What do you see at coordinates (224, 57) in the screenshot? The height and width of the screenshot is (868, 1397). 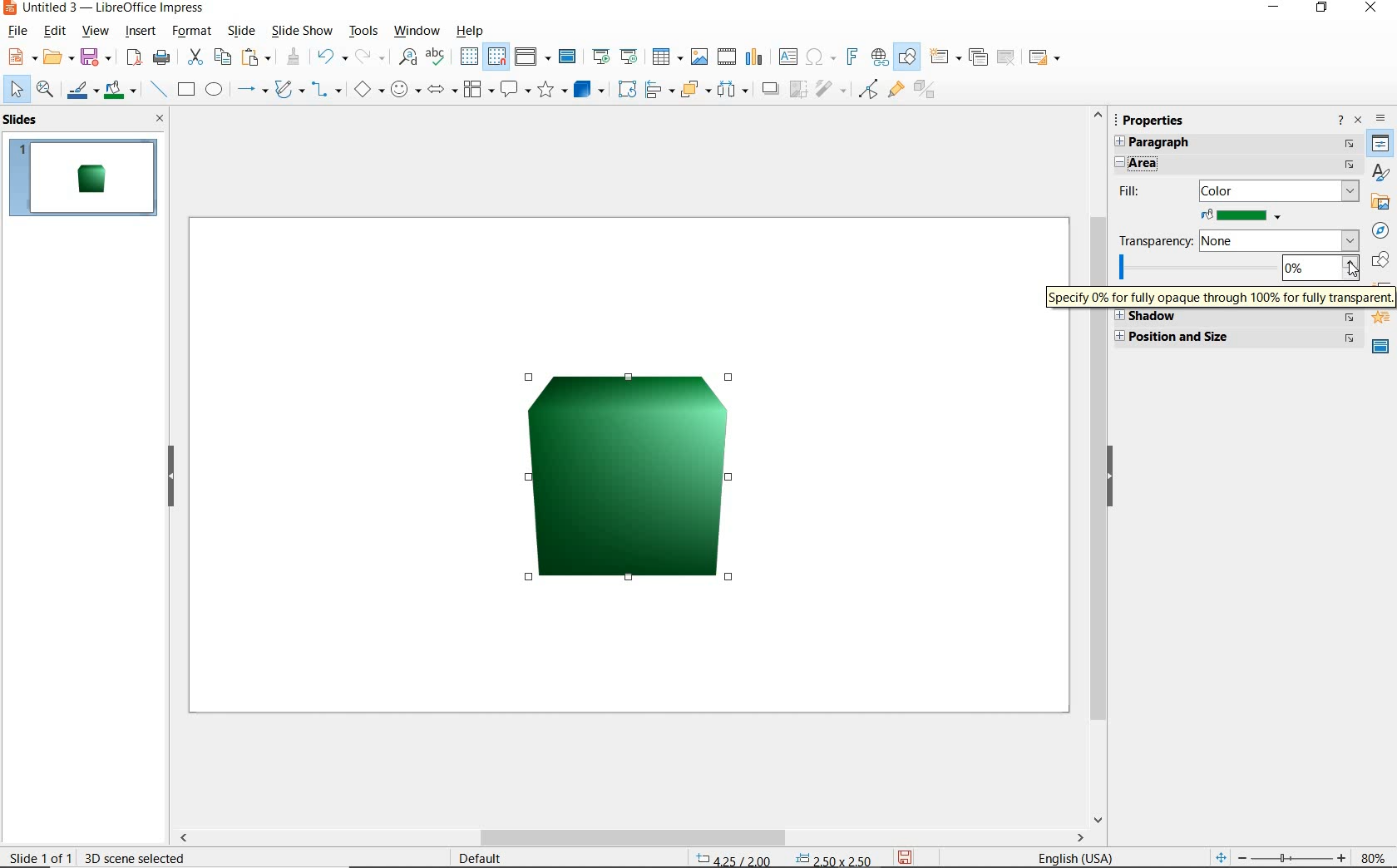 I see `copy` at bounding box center [224, 57].